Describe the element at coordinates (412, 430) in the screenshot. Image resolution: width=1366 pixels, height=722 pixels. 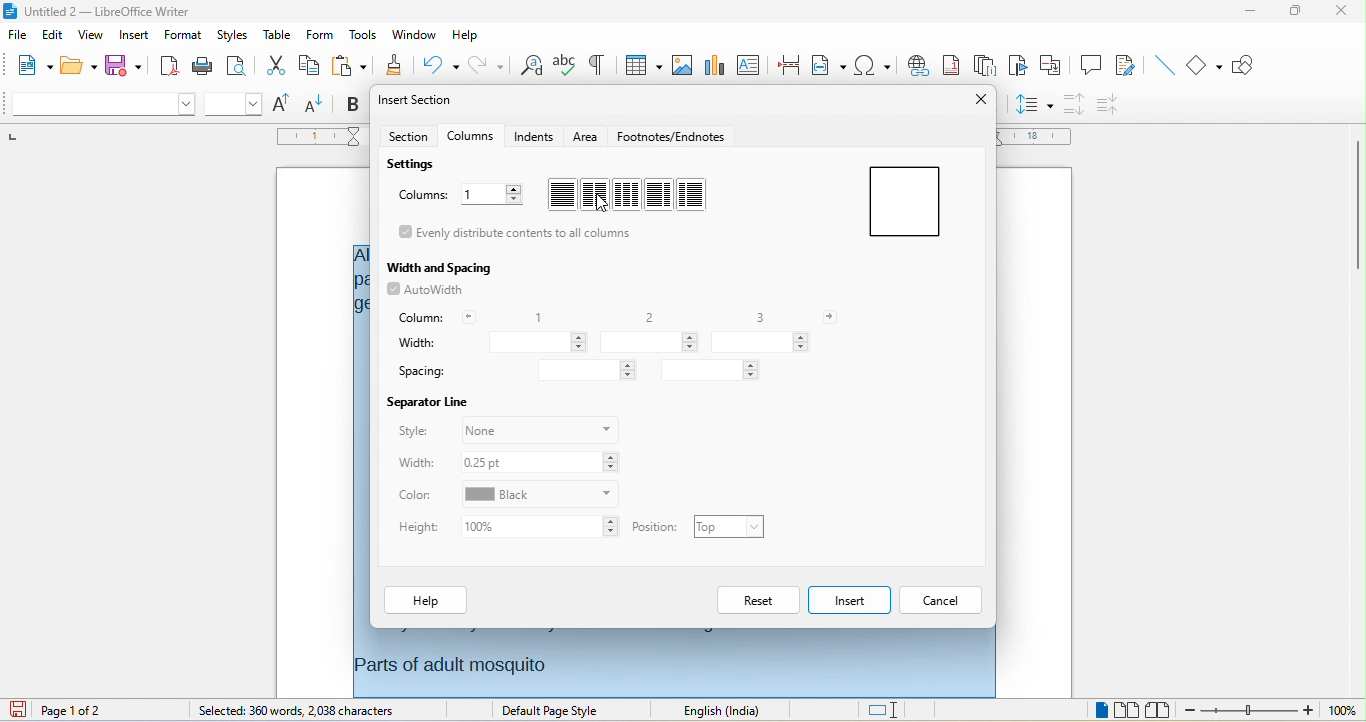
I see `style` at that location.